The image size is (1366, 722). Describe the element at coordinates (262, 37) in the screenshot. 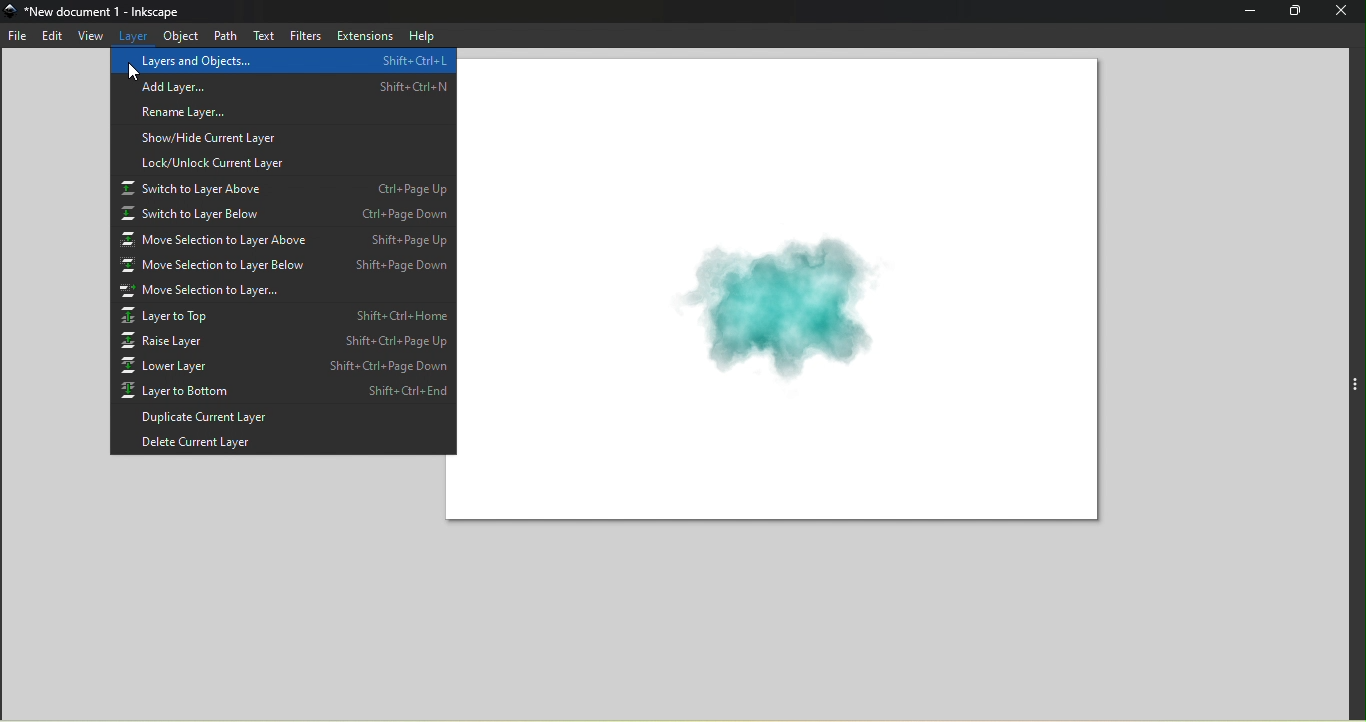

I see `Text` at that location.